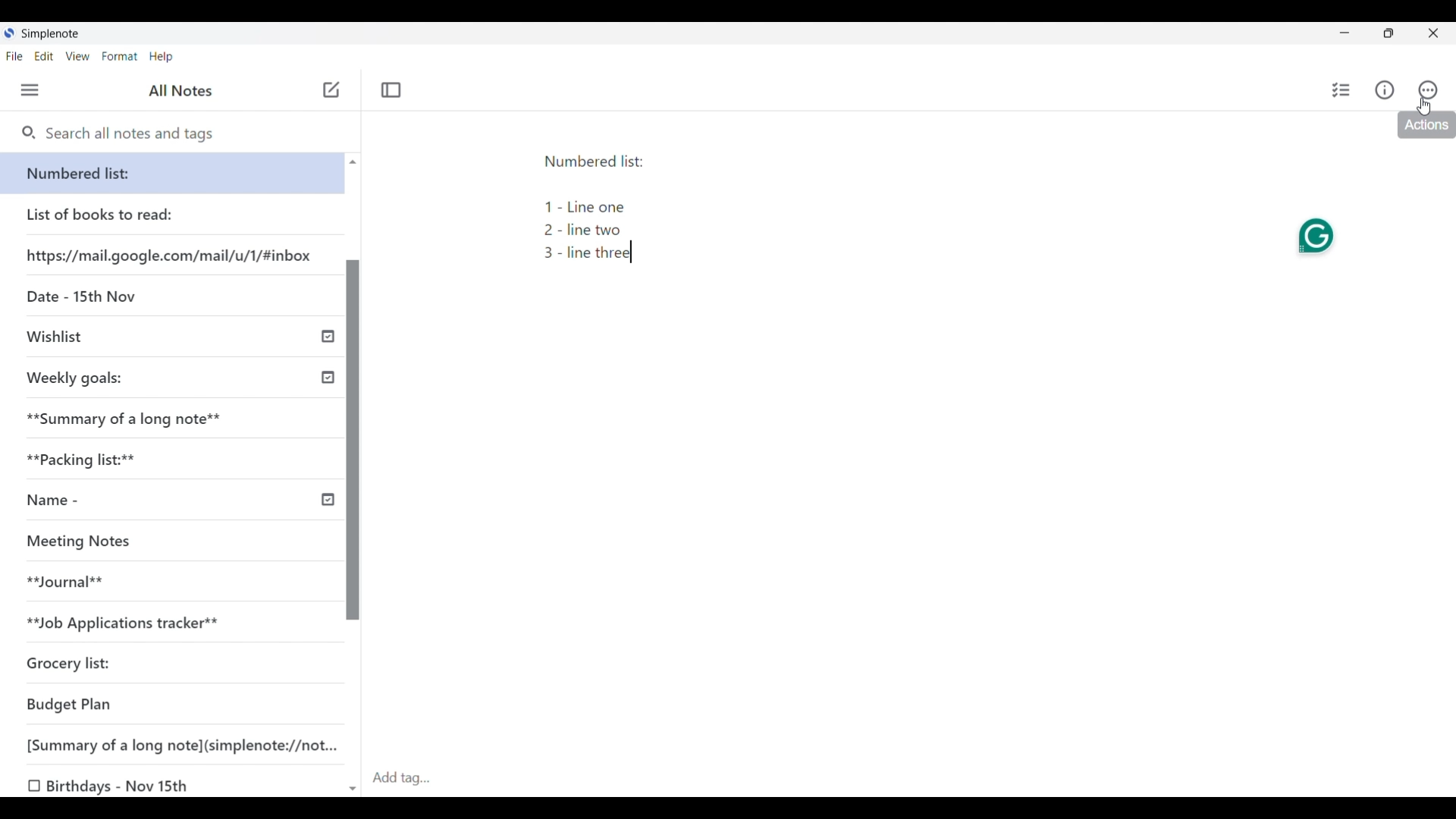 The width and height of the screenshot is (1456, 819). Describe the element at coordinates (87, 667) in the screenshot. I see `Grocery list:` at that location.